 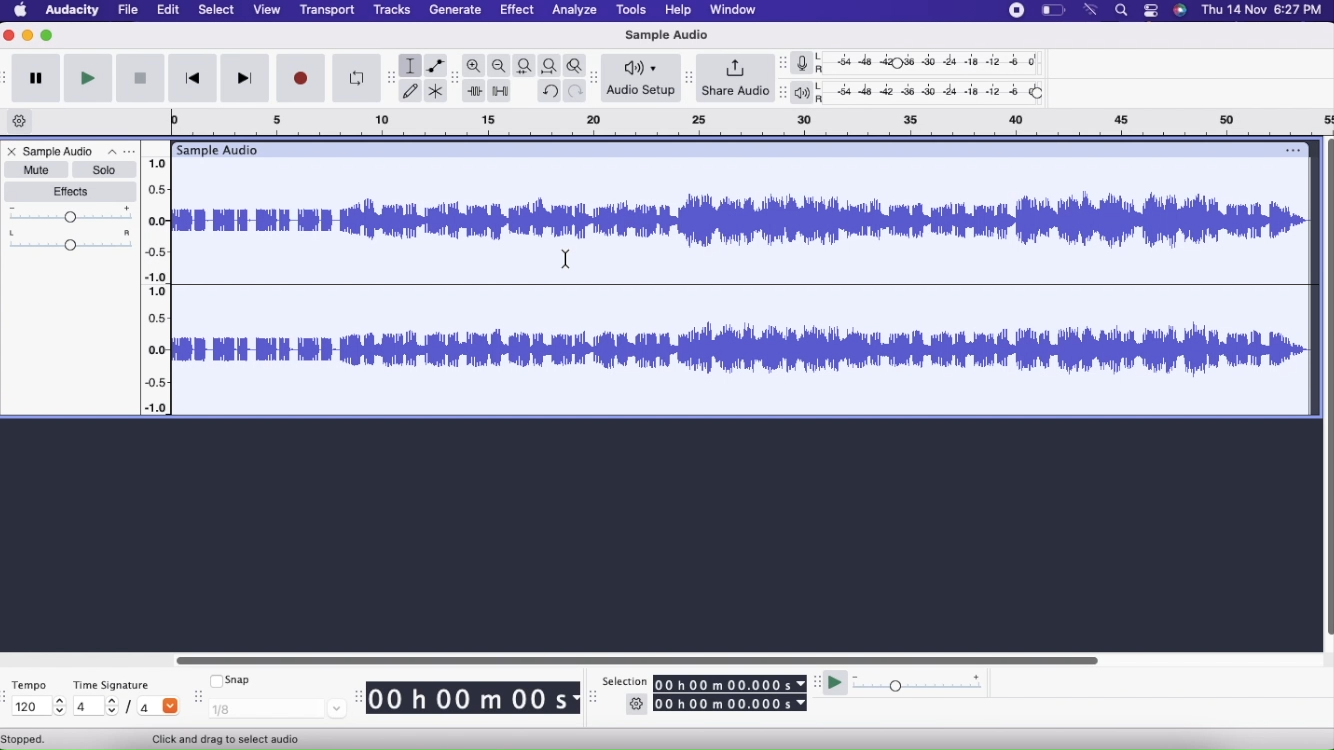 I want to click on Stop, so click(x=140, y=78).